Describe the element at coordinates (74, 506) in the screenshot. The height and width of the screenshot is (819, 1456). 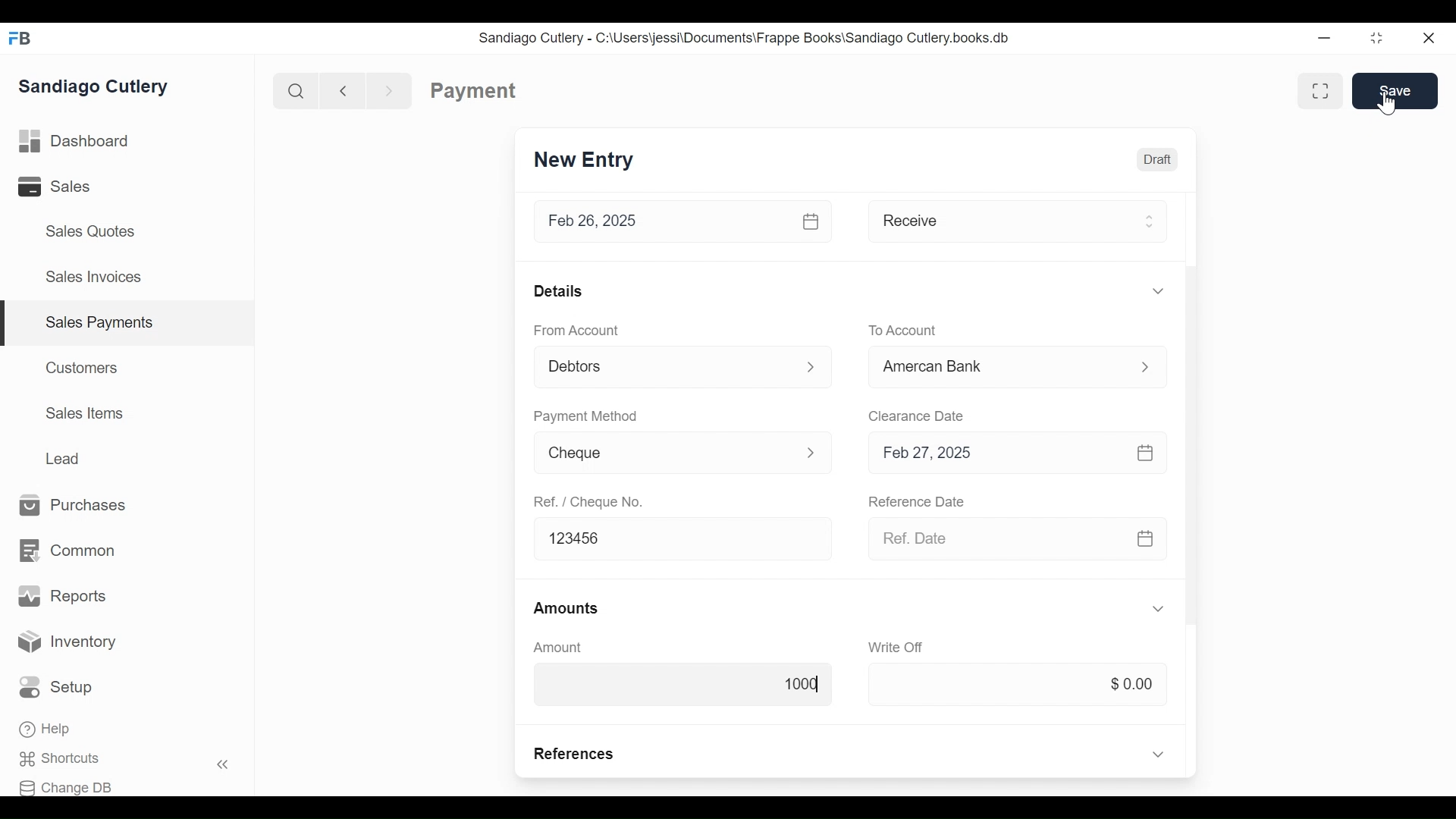
I see `Purchases` at that location.